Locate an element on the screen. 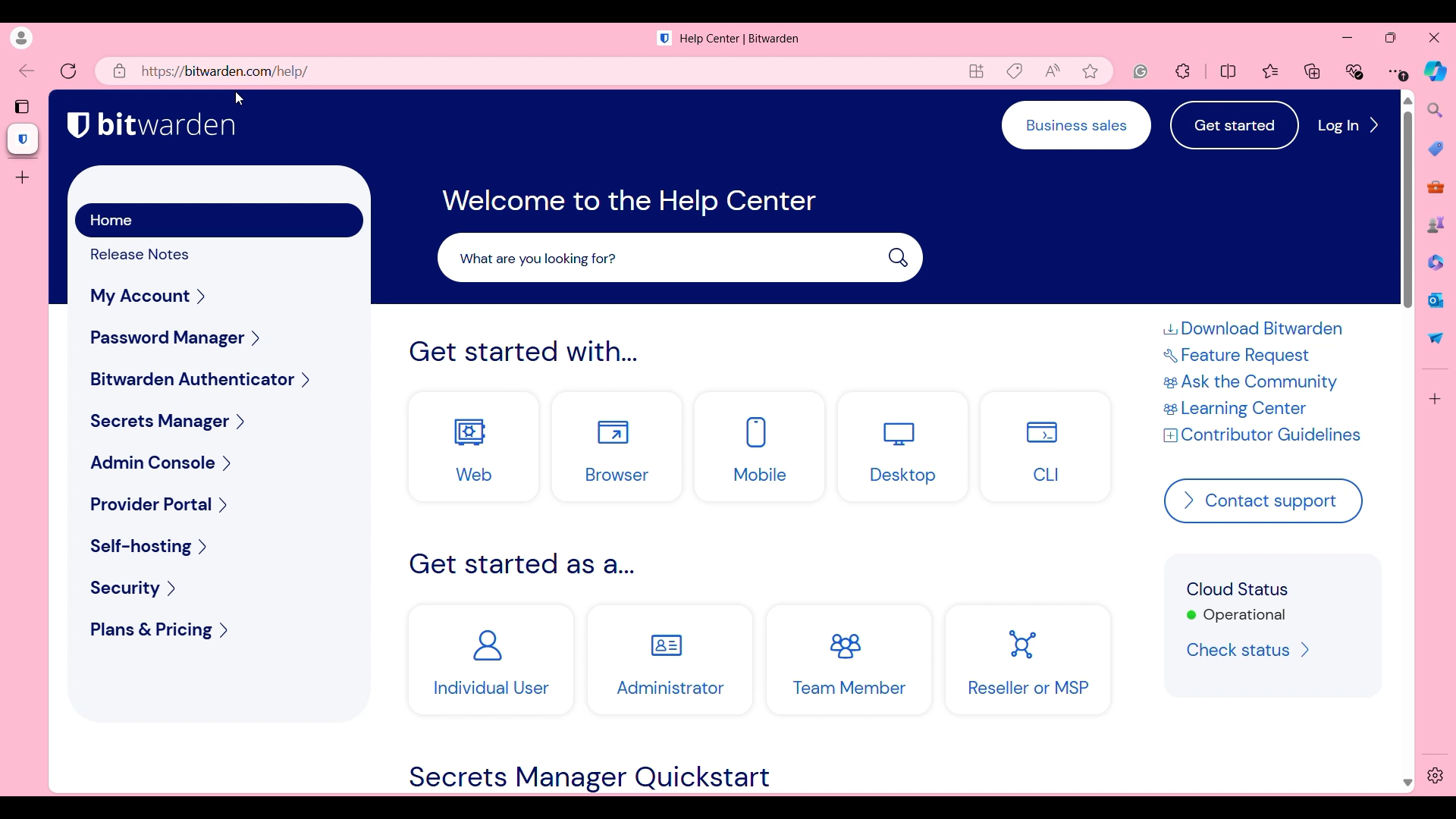  Browser AI is located at coordinates (1436, 71).